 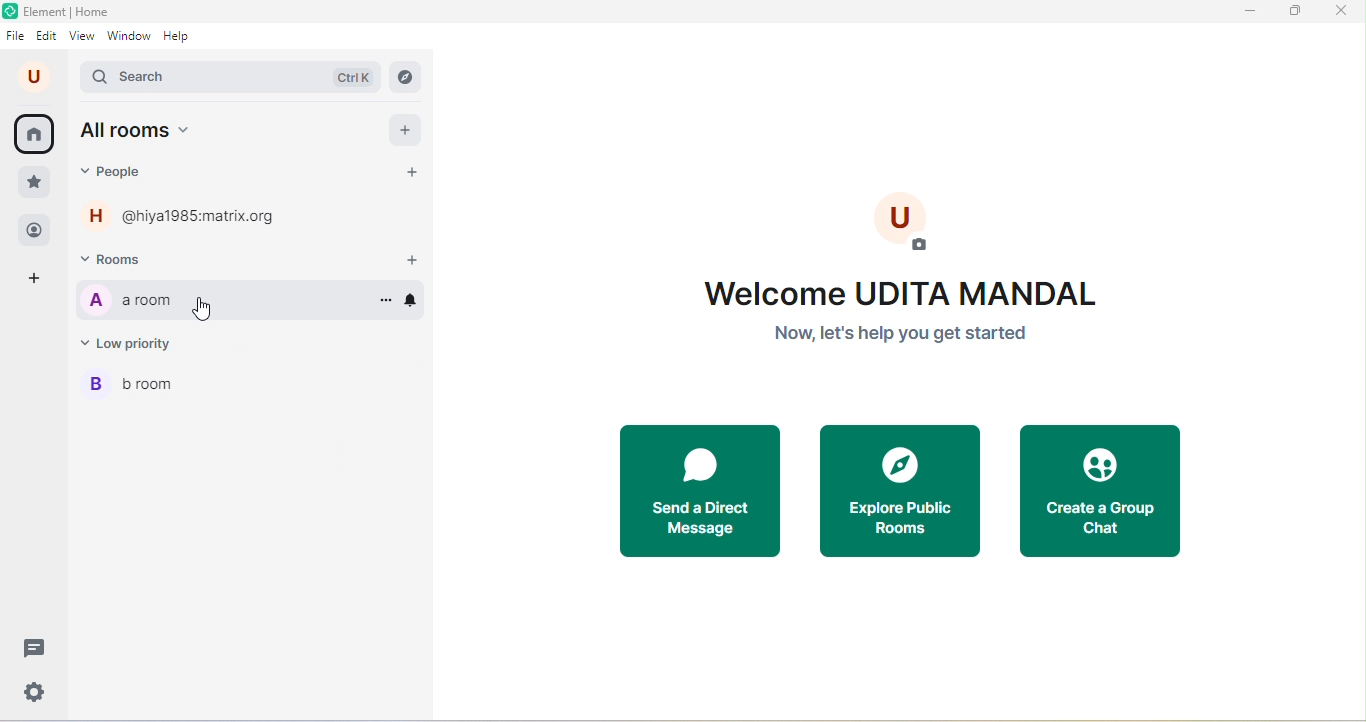 I want to click on start a chat, so click(x=413, y=173).